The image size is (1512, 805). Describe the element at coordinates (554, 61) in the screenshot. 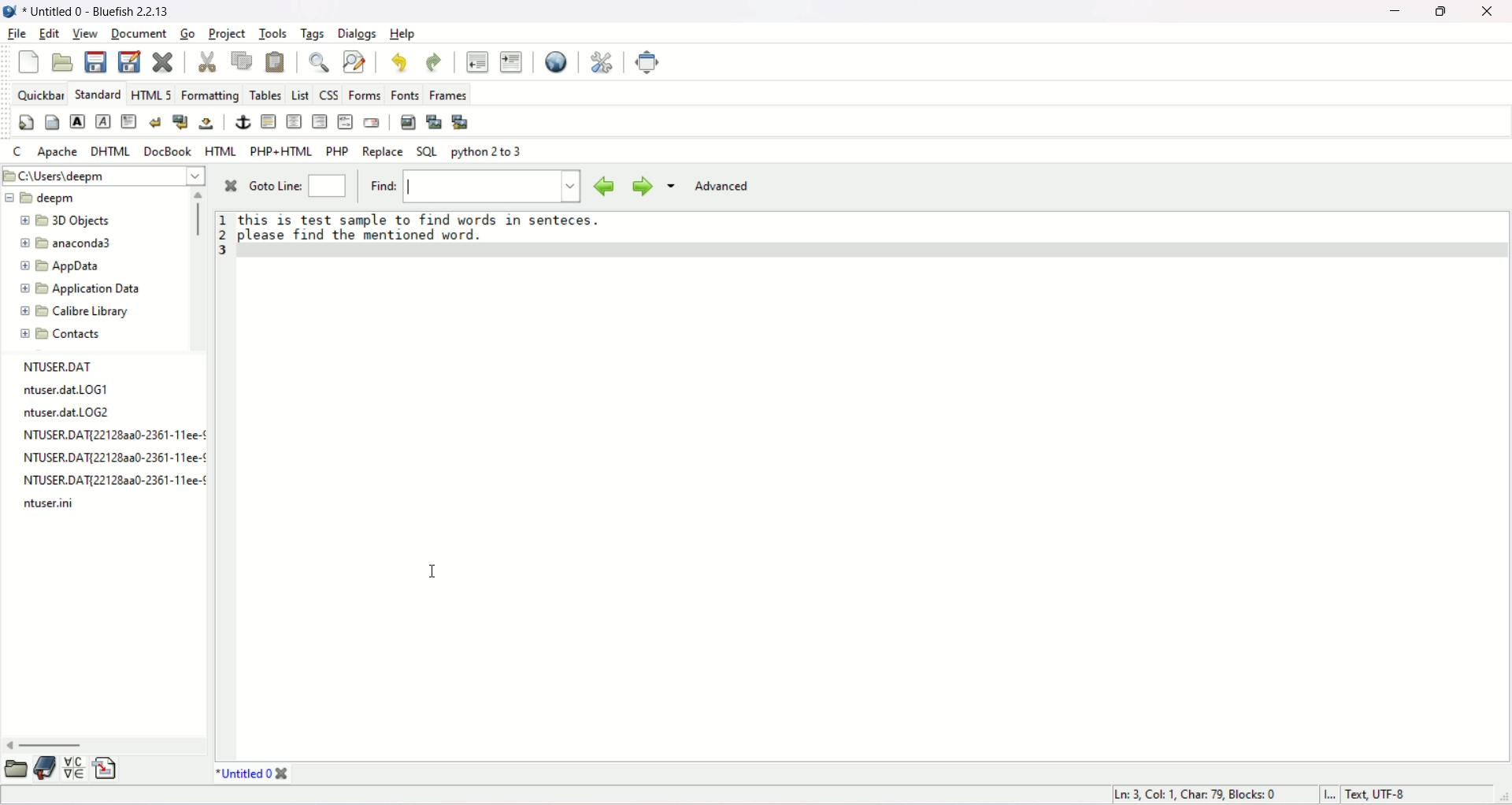

I see `preview in browser` at that location.